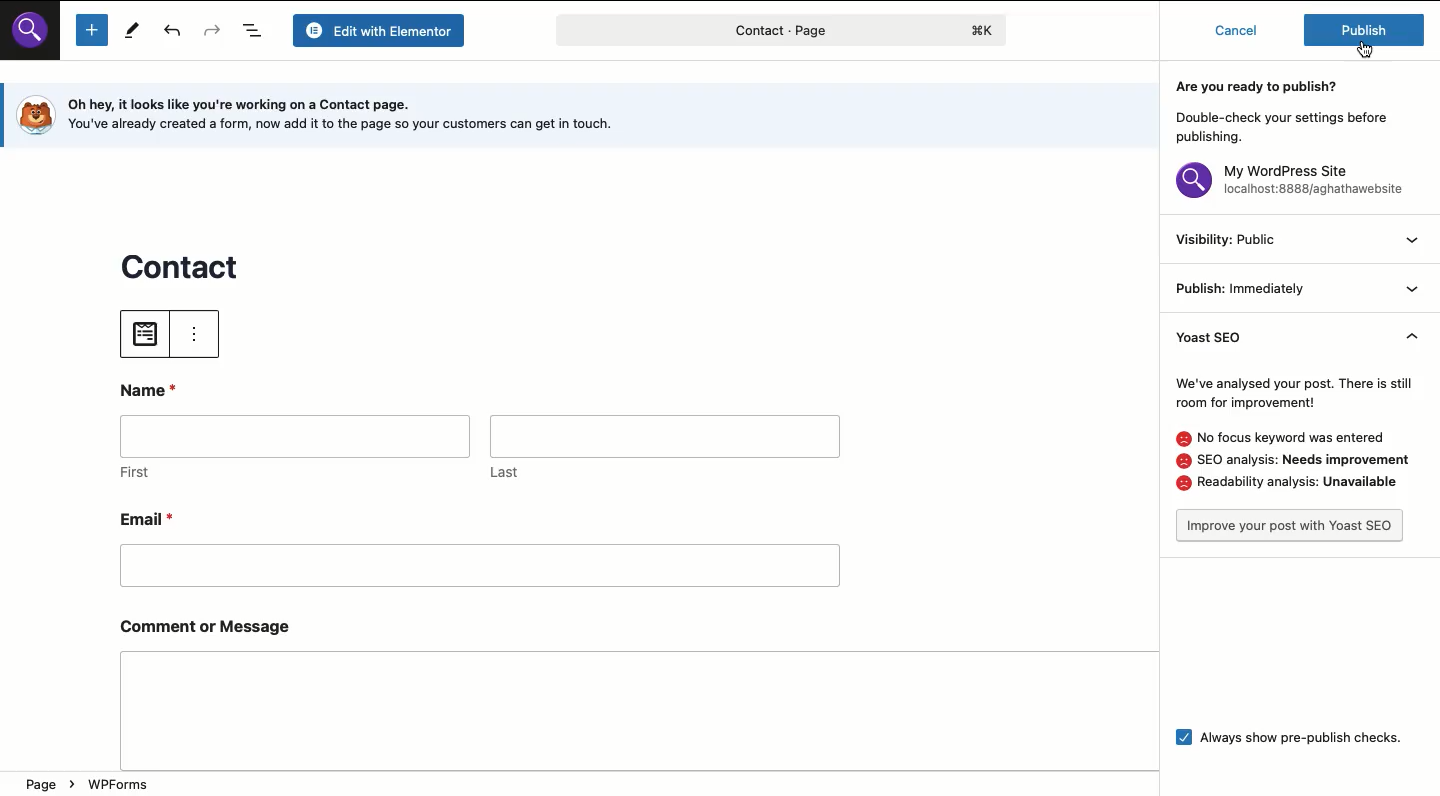 The image size is (1440, 796). I want to click on Edit with elementor, so click(382, 30).